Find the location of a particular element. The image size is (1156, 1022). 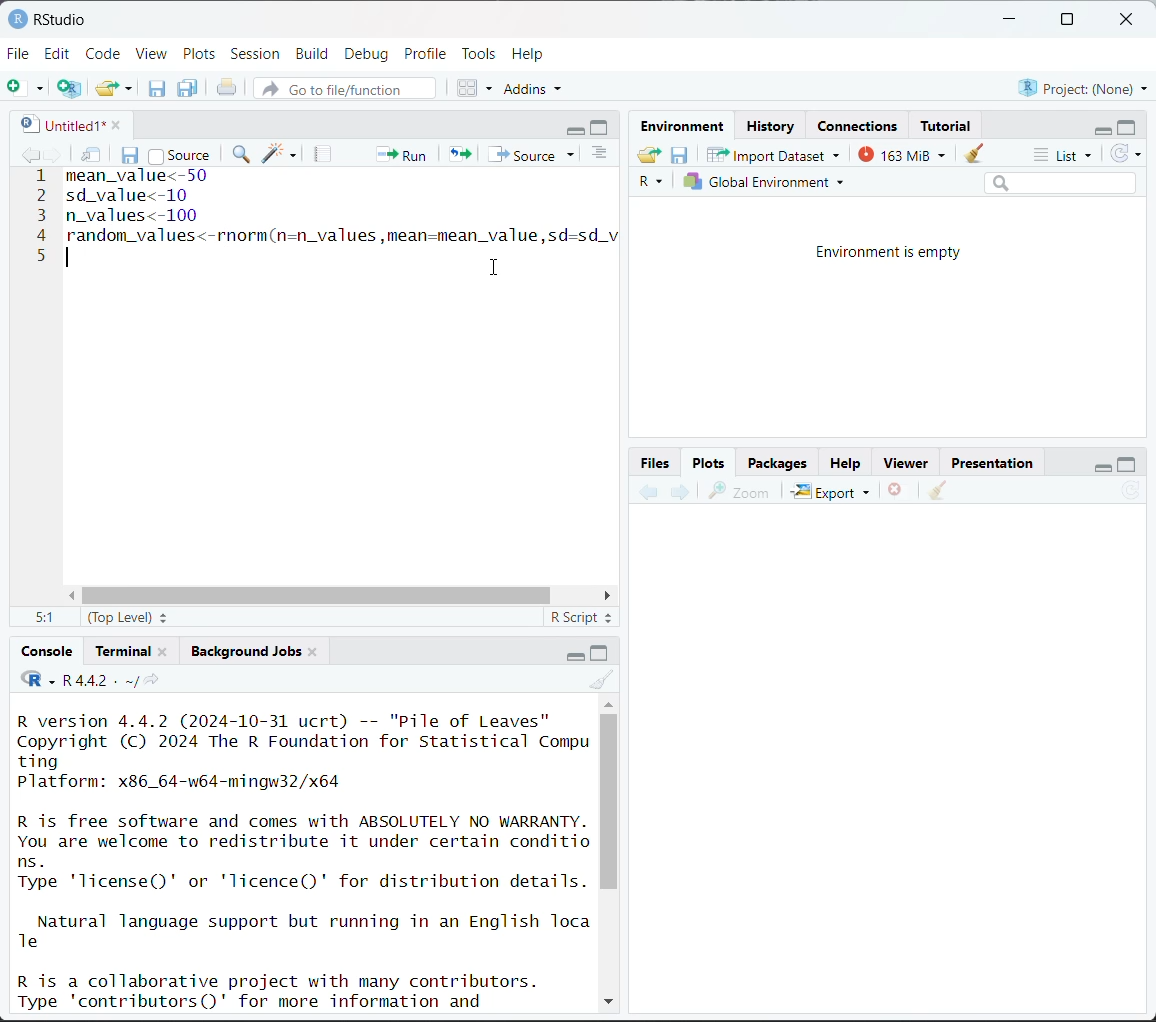

minimize is located at coordinates (576, 128).